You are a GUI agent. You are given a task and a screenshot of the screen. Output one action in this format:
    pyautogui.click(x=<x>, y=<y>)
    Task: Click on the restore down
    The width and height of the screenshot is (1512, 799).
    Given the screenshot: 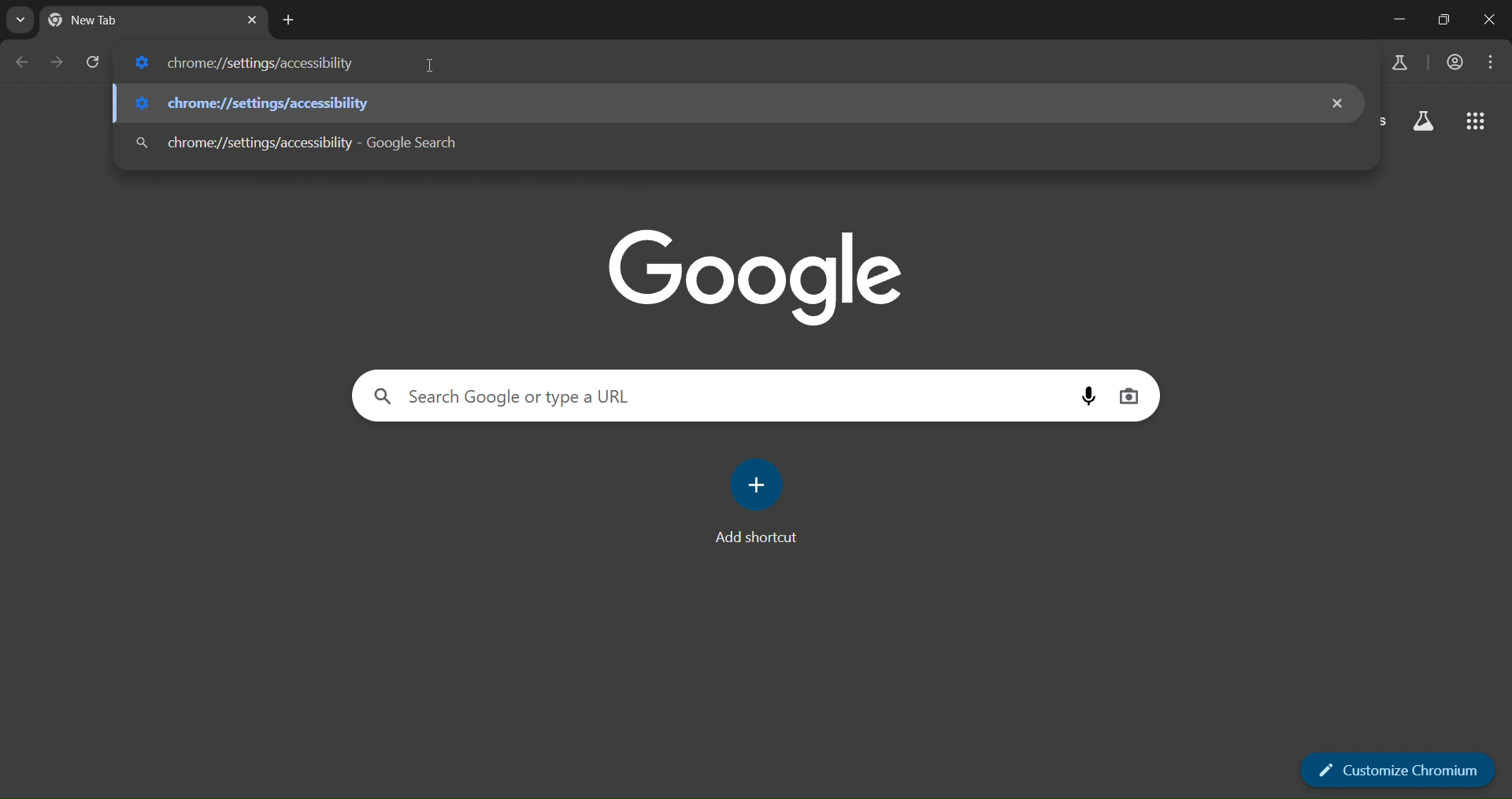 What is the action you would take?
    pyautogui.click(x=1447, y=19)
    